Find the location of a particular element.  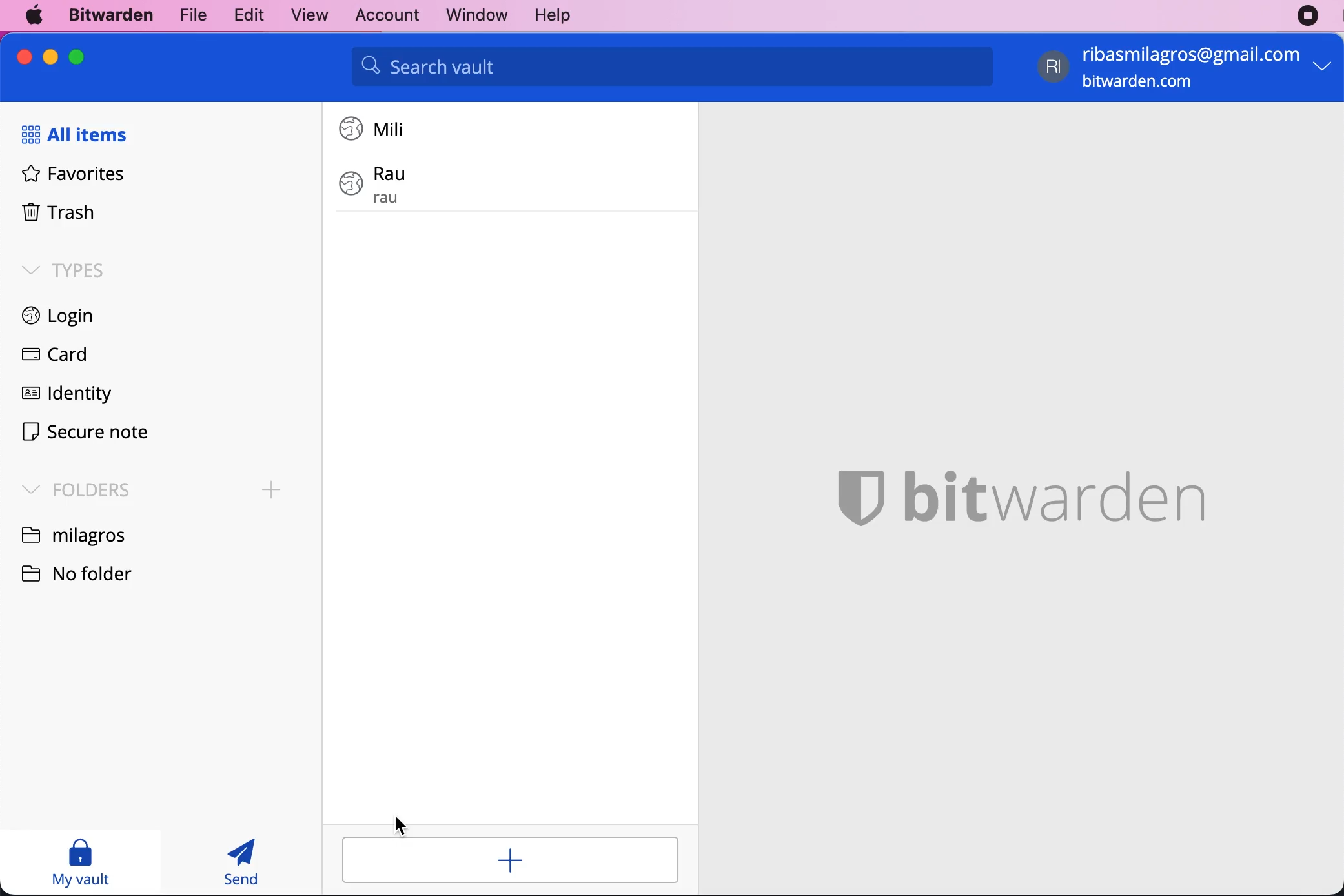

types is located at coordinates (63, 269).